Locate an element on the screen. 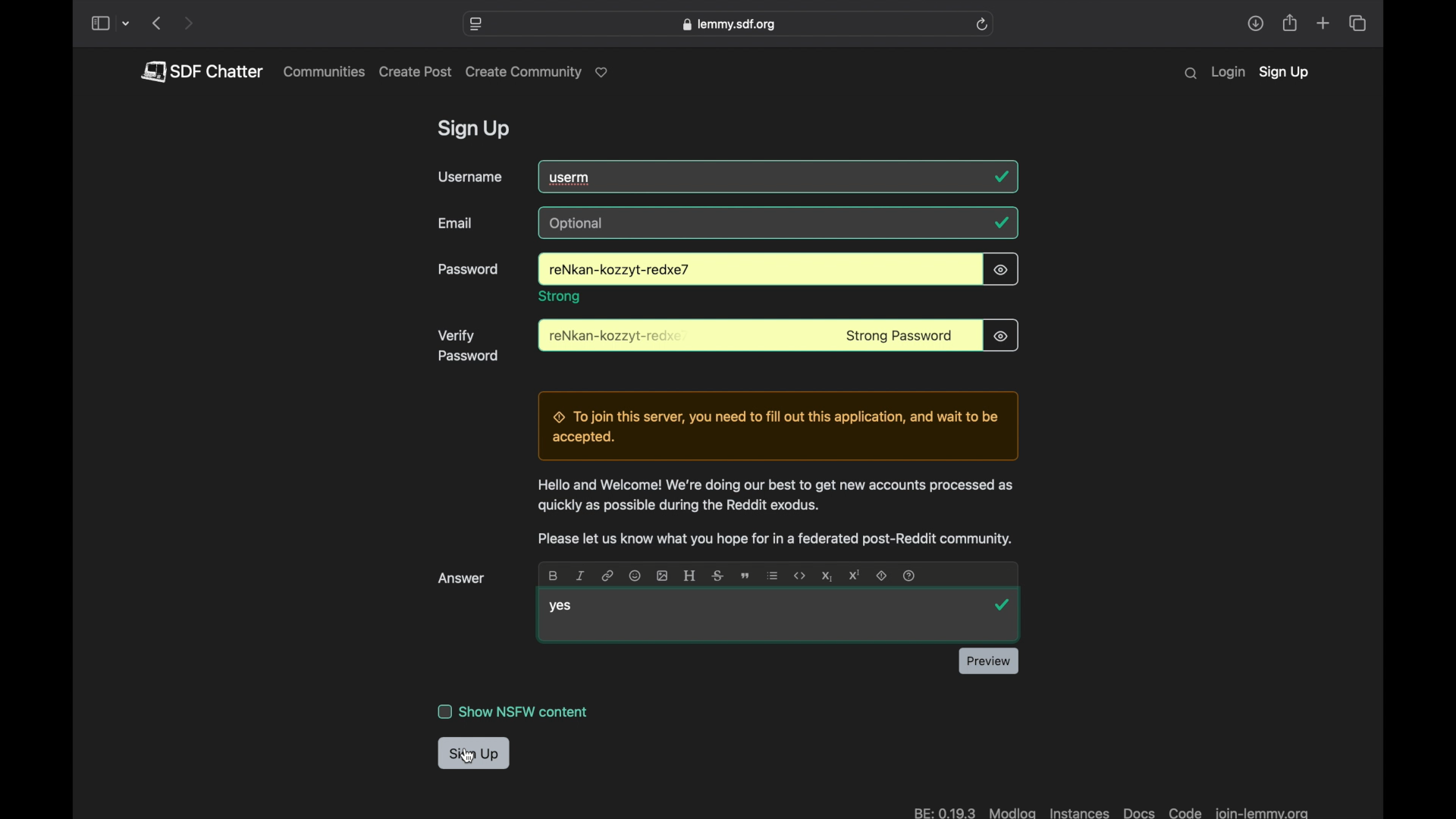 Image resolution: width=1456 pixels, height=819 pixels. yes is located at coordinates (560, 607).